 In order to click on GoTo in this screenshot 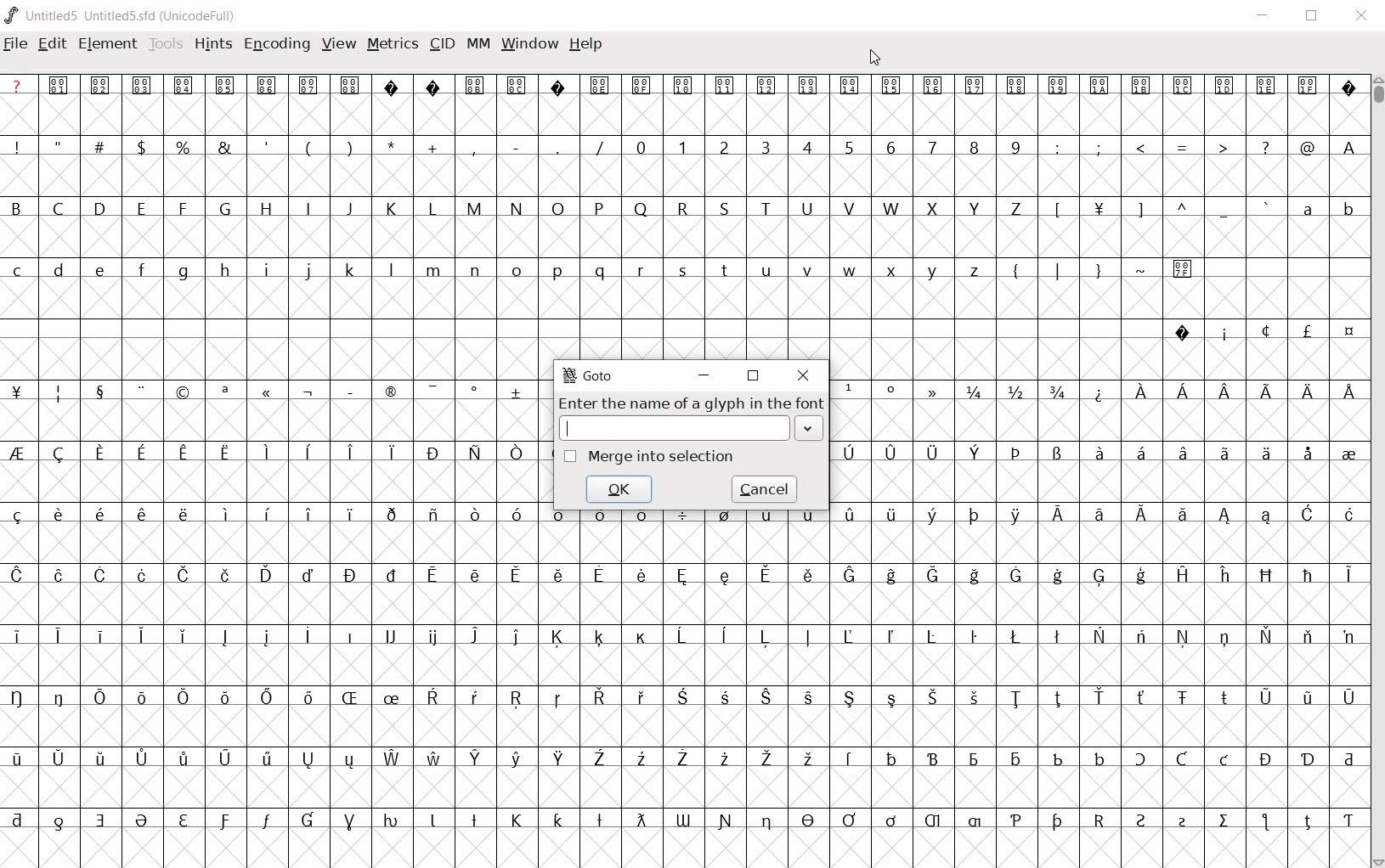, I will do `click(591, 377)`.